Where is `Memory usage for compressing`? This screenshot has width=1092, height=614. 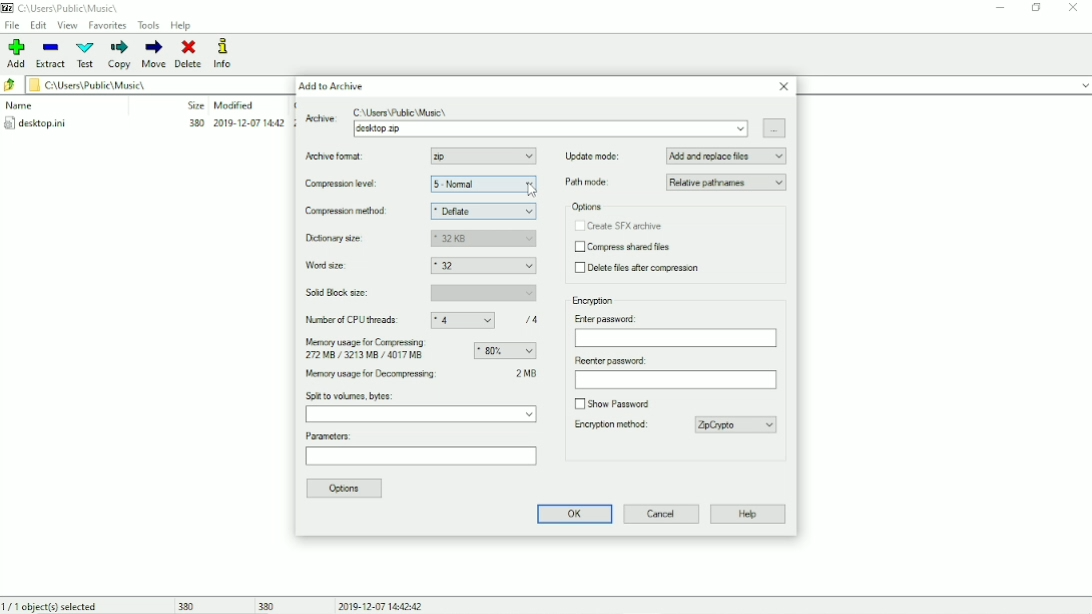 Memory usage for compressing is located at coordinates (420, 349).